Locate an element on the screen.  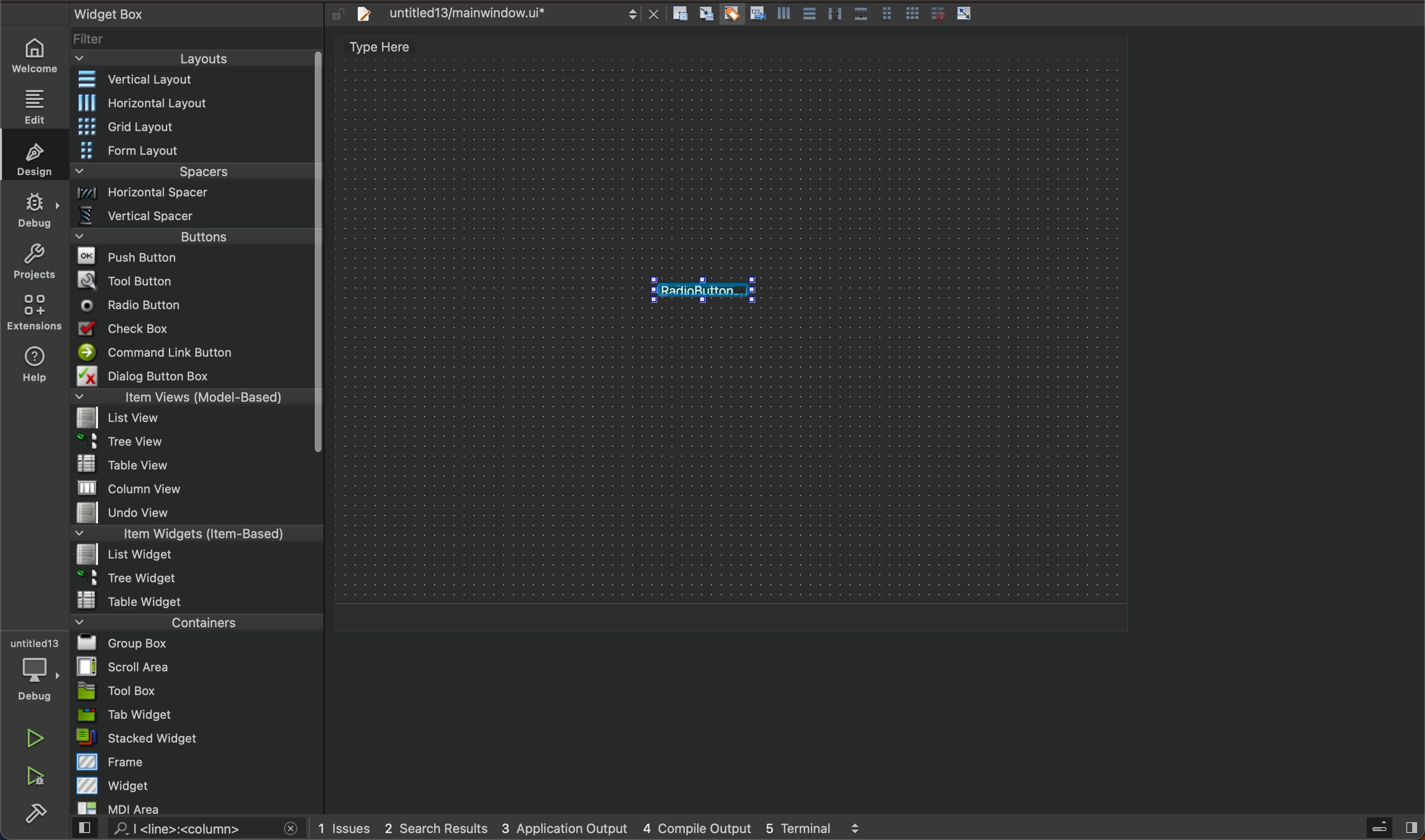
 is located at coordinates (835, 15).